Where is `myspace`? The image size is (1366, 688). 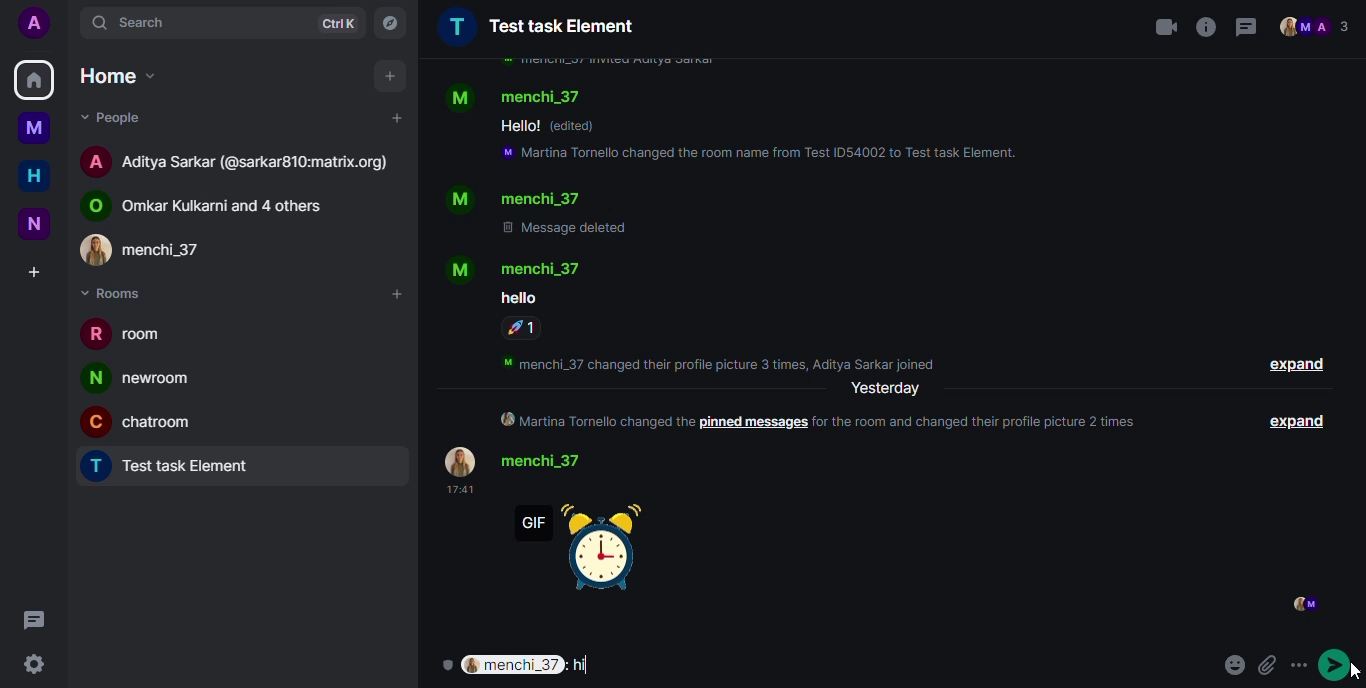
myspace is located at coordinates (35, 128).